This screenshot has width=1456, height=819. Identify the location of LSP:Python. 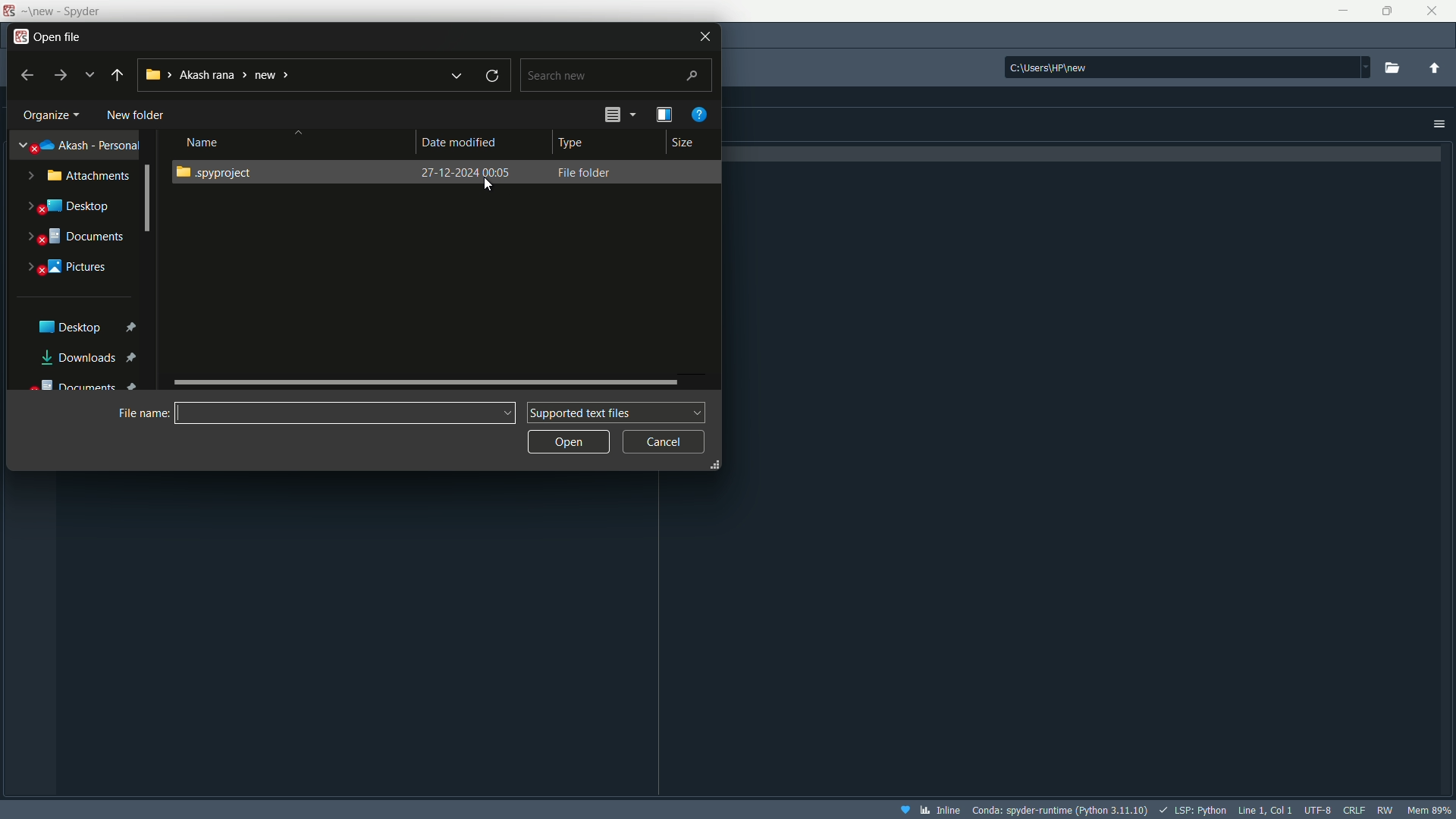
(1193, 810).